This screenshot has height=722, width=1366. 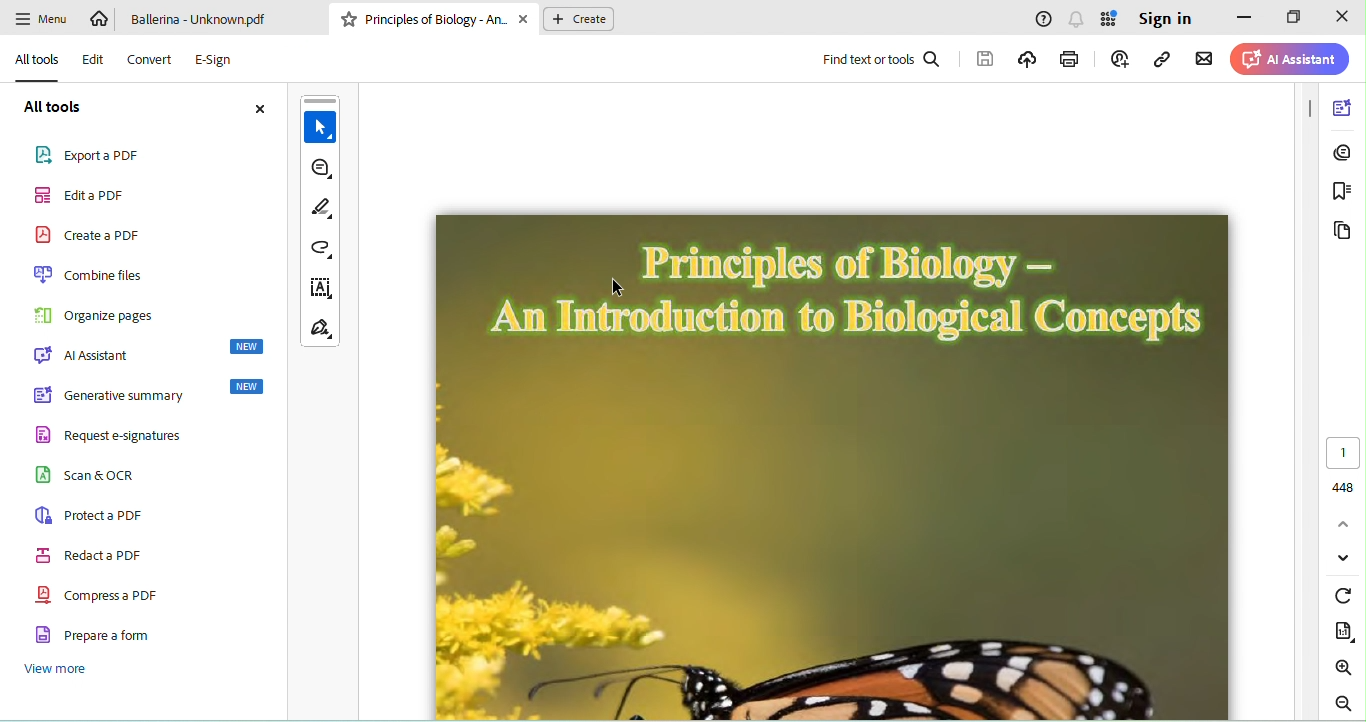 I want to click on share this document, so click(x=1125, y=59).